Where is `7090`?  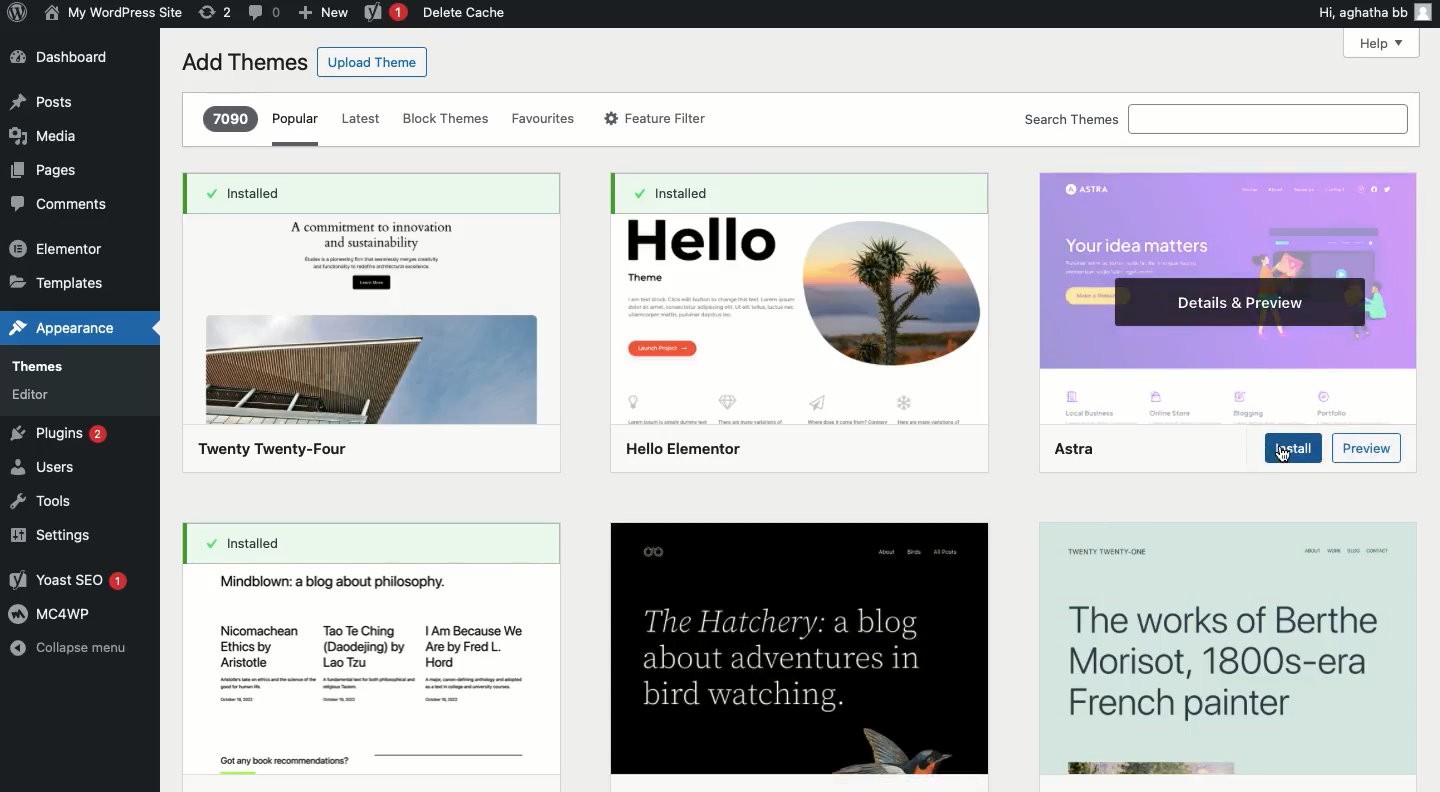 7090 is located at coordinates (230, 119).